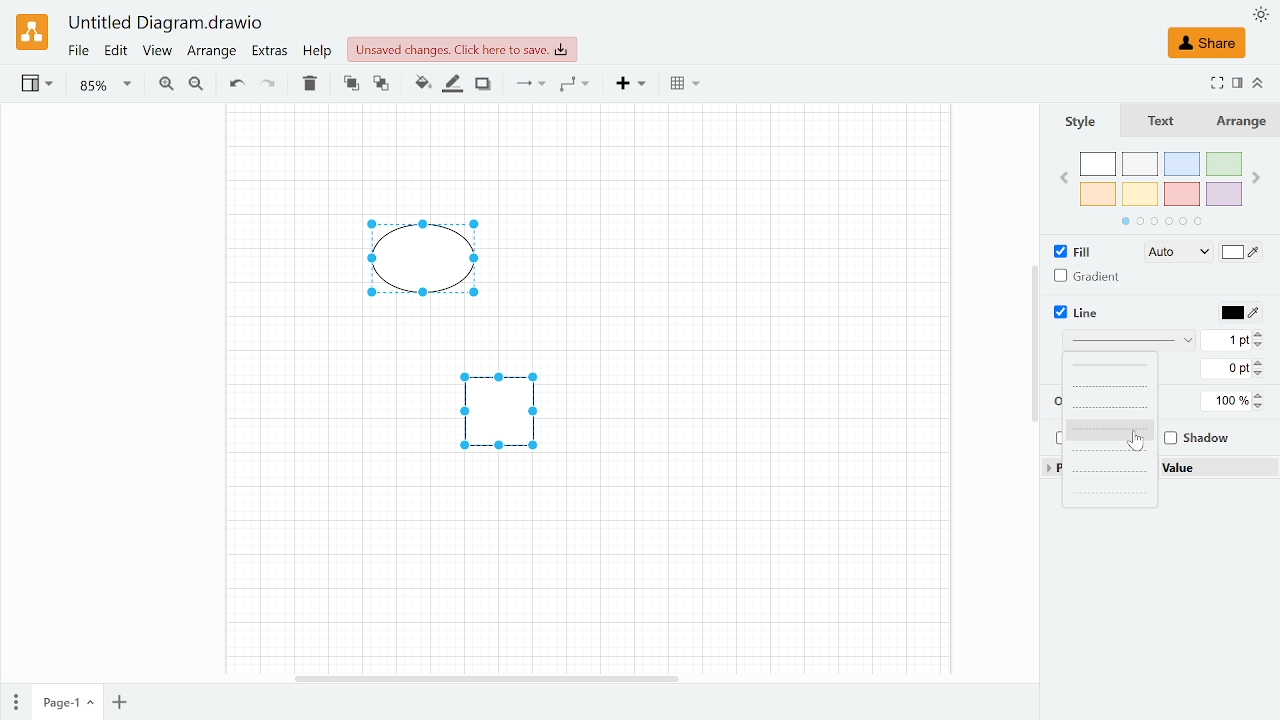 This screenshot has width=1280, height=720. Describe the element at coordinates (462, 50) in the screenshot. I see `Unsaved changes. click here to save` at that location.